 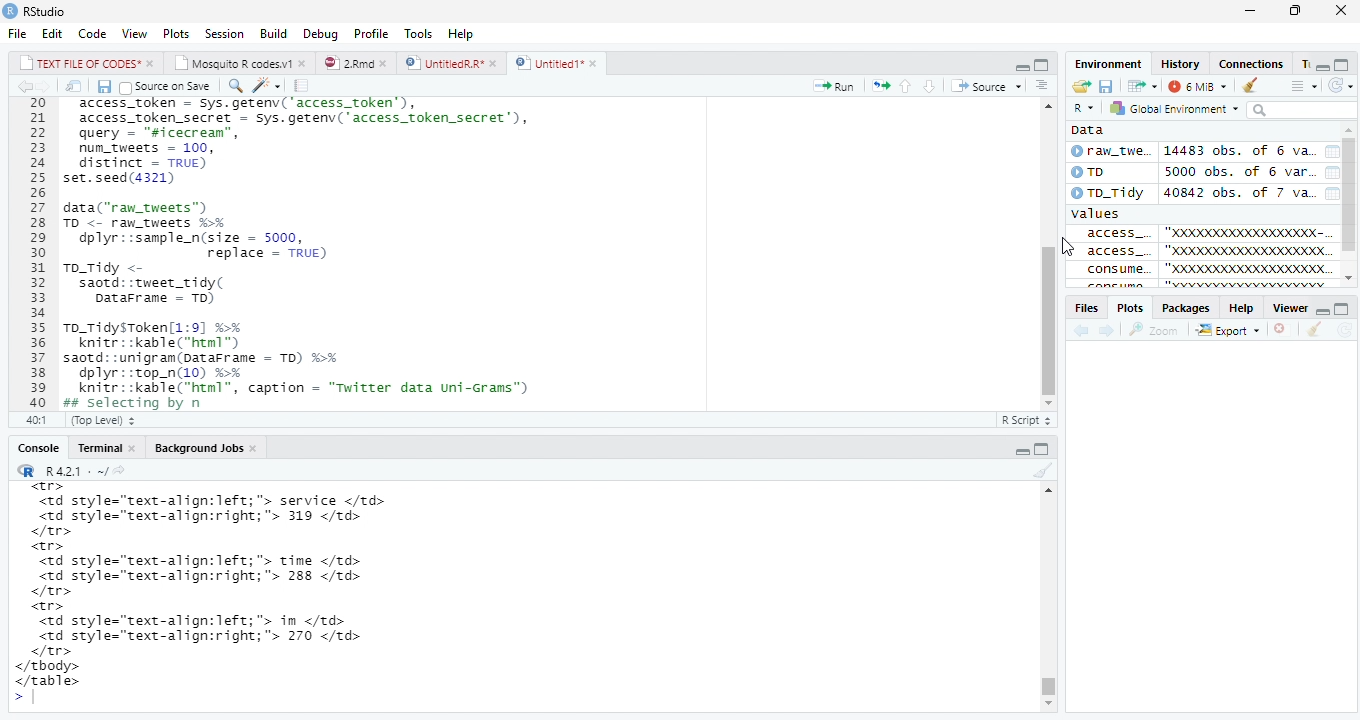 What do you see at coordinates (242, 595) in the screenshot?
I see `<tr>
<td style="text-align:left; "> service </td>
<td style="text-align:right;"> 319 </td>
</tr>
<tr>
<td style="text-align:left; "> time </td>
<td style="text-align:right;"> 288 </td>
</tr>
<tr>
<td style="text-align:left; "> in </td>
<td style="text-align:right;"> 270 </td>
</tr>

</tbody>

</table>

>` at bounding box center [242, 595].